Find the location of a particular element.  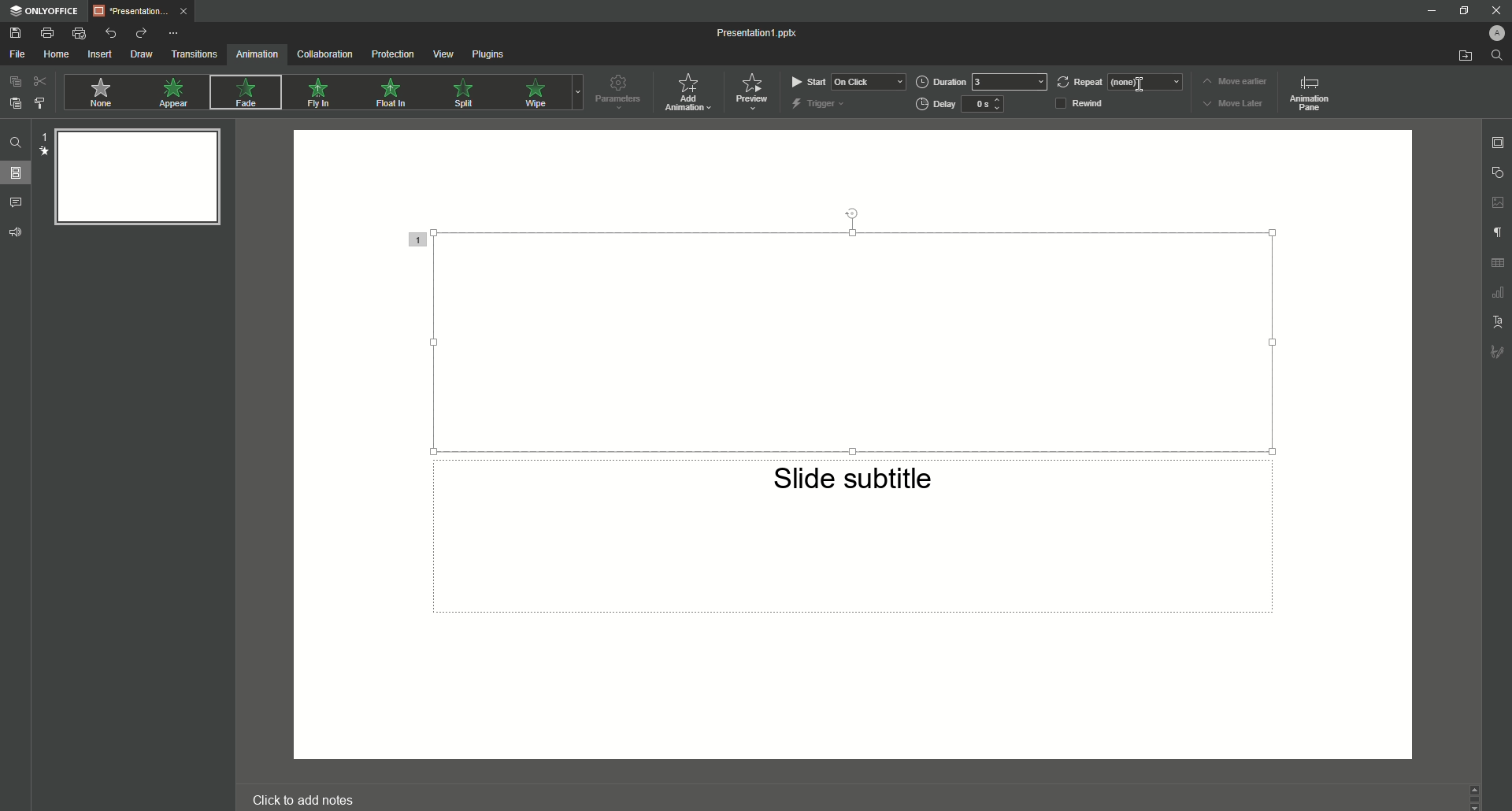

Find is located at coordinates (1497, 54).